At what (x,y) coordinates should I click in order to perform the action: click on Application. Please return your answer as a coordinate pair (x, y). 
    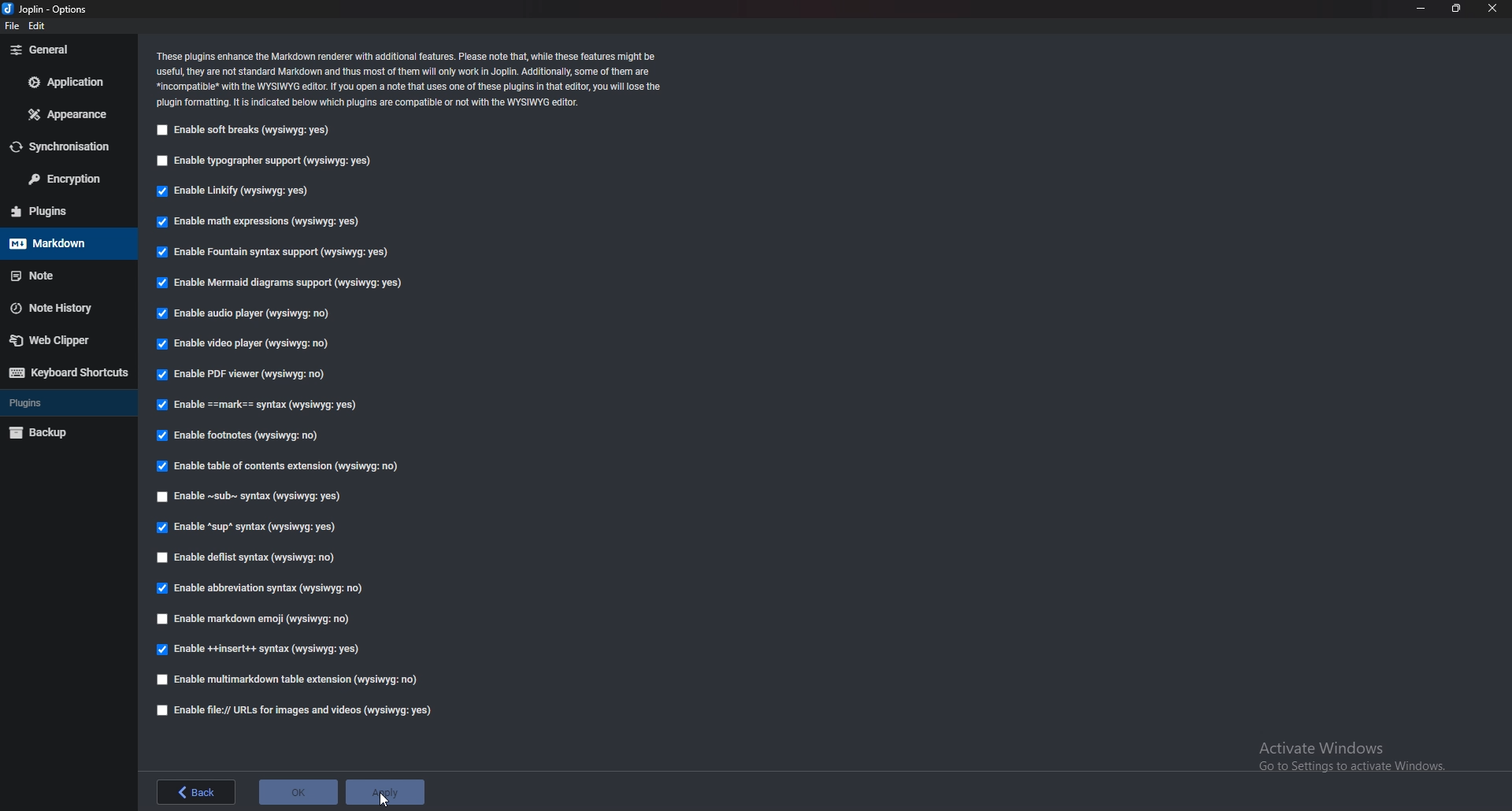
    Looking at the image, I should click on (67, 84).